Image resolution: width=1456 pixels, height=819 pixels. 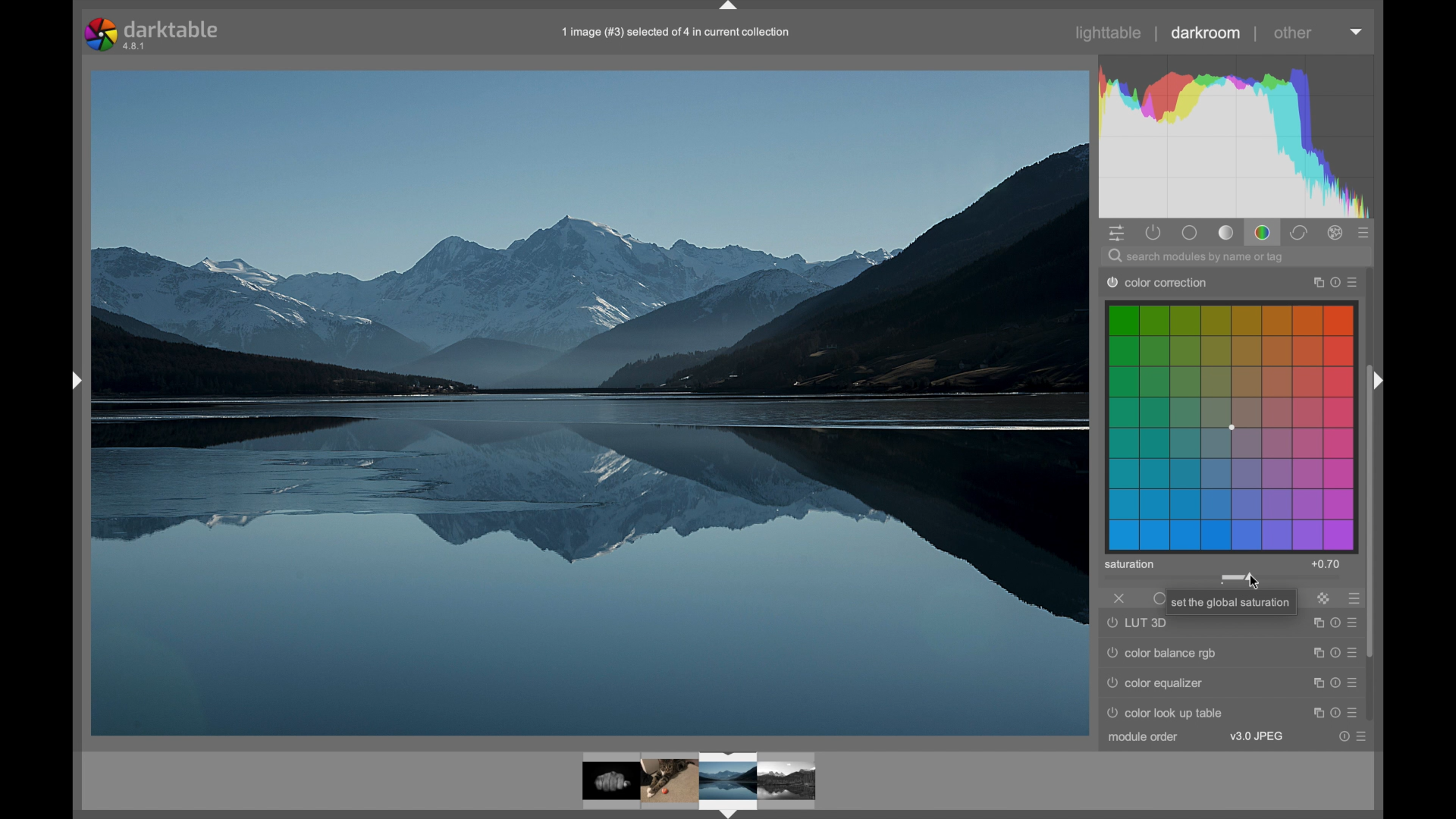 I want to click on image, so click(x=789, y=780).